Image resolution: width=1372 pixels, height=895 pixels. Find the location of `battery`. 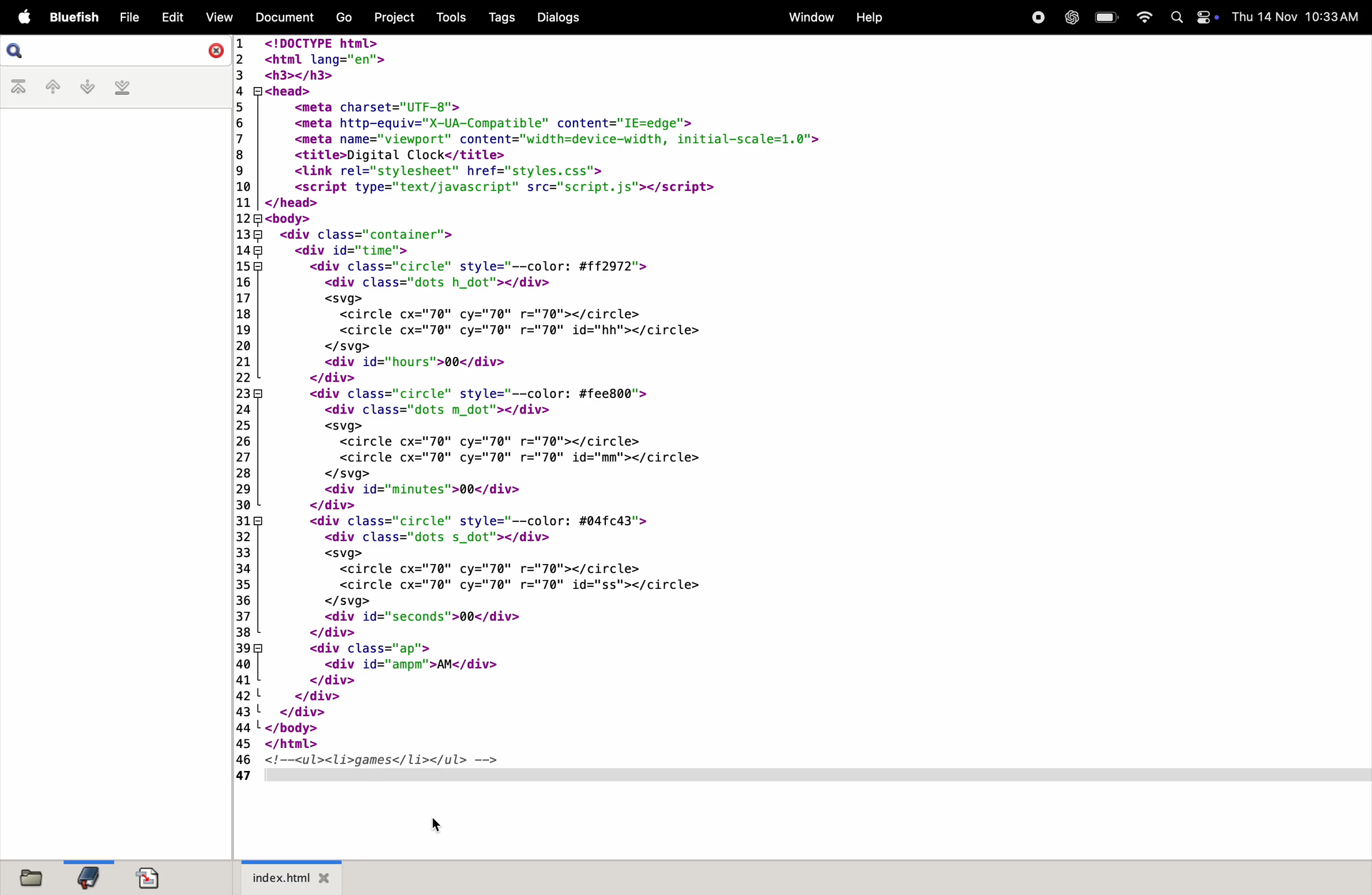

battery is located at coordinates (1104, 18).